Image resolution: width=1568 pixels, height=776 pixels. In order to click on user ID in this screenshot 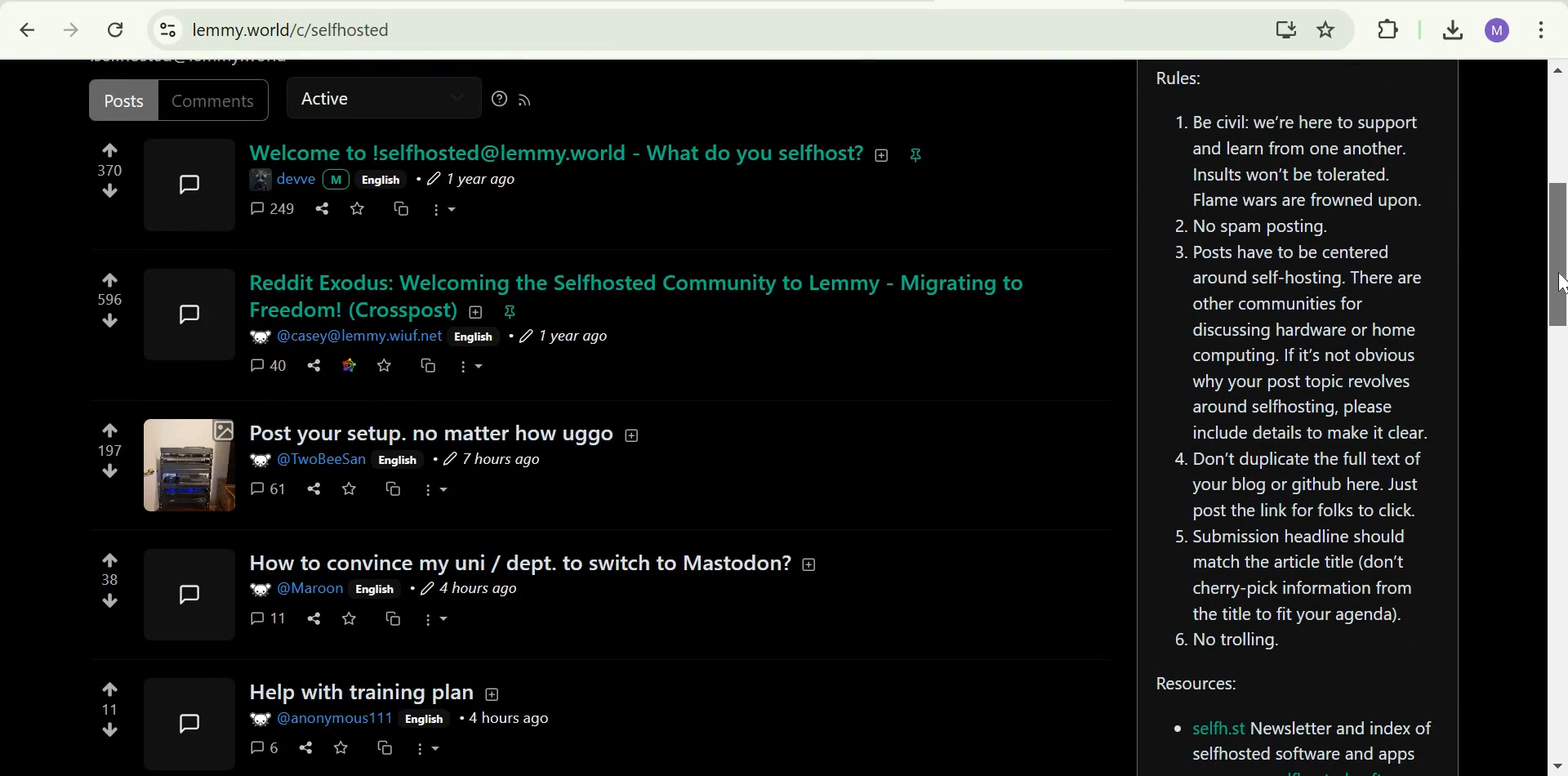, I will do `click(310, 589)`.